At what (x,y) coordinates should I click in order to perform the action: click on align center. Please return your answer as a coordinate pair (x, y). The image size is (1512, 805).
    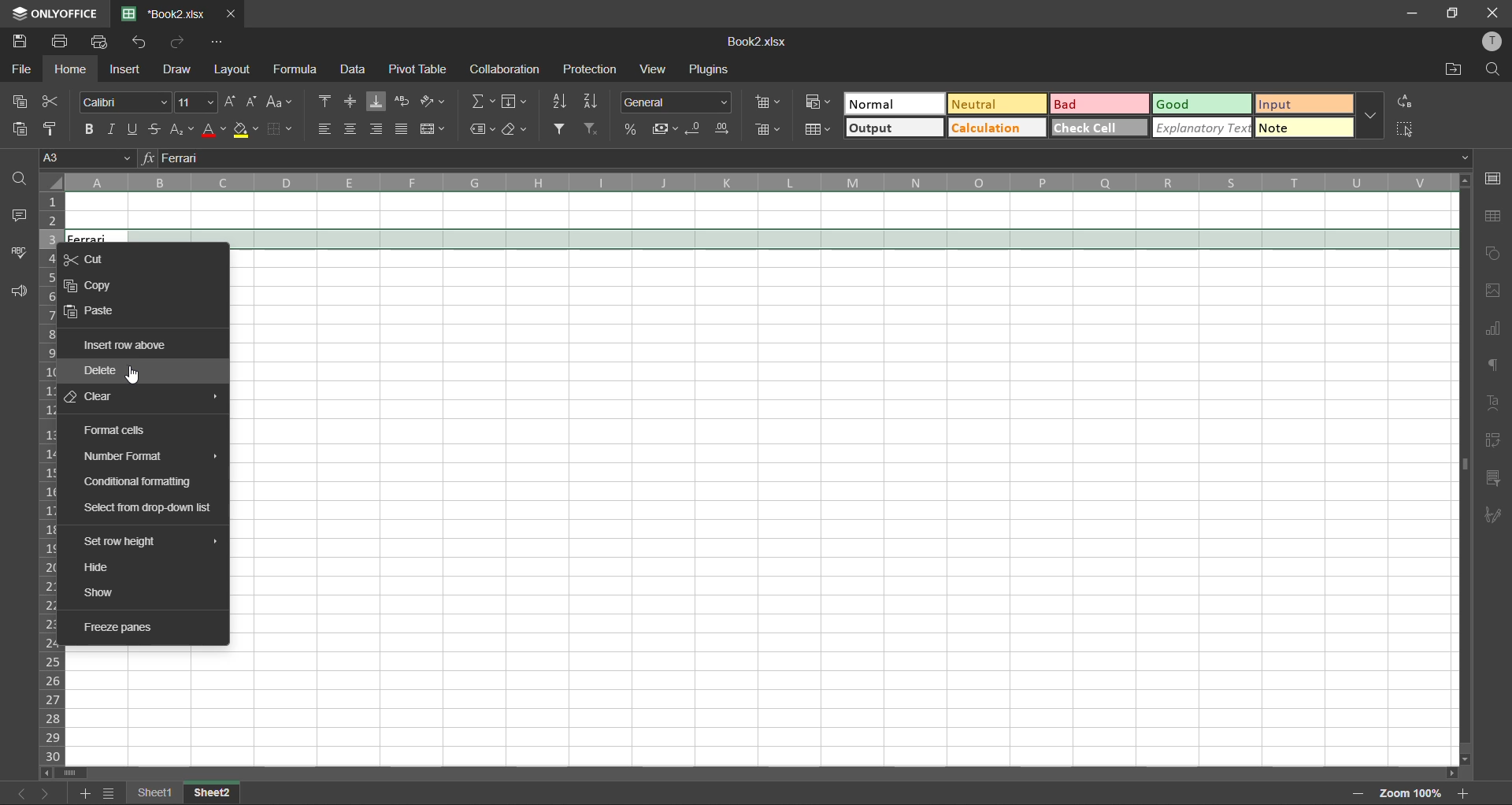
    Looking at the image, I should click on (351, 128).